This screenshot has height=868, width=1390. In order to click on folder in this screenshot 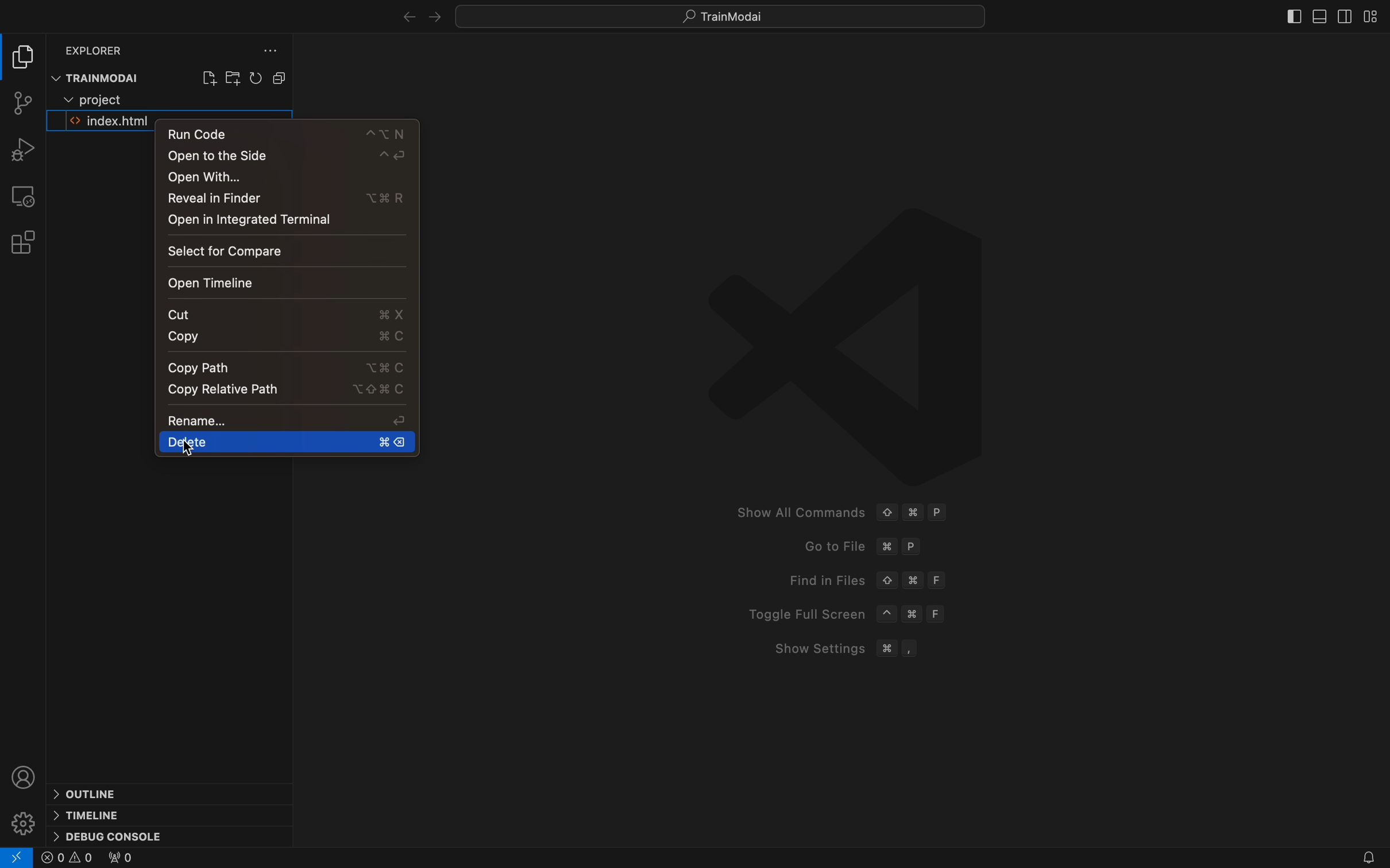, I will do `click(106, 99)`.